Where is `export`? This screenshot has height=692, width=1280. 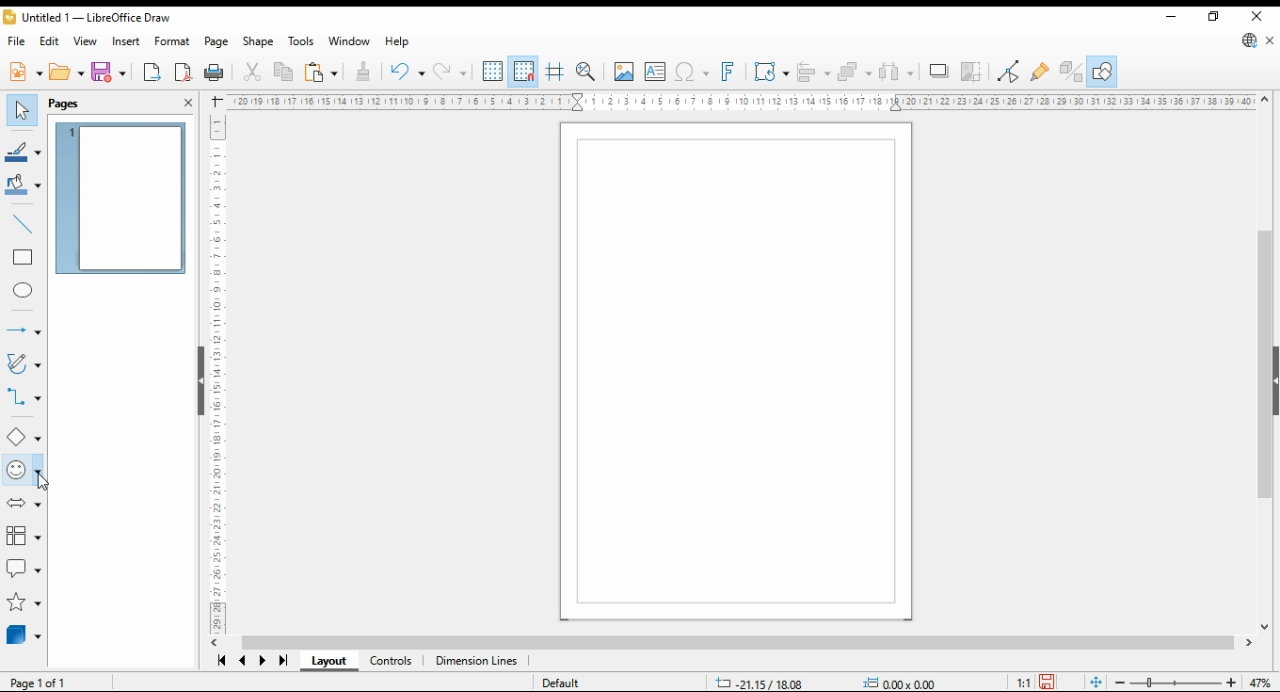
export is located at coordinates (153, 72).